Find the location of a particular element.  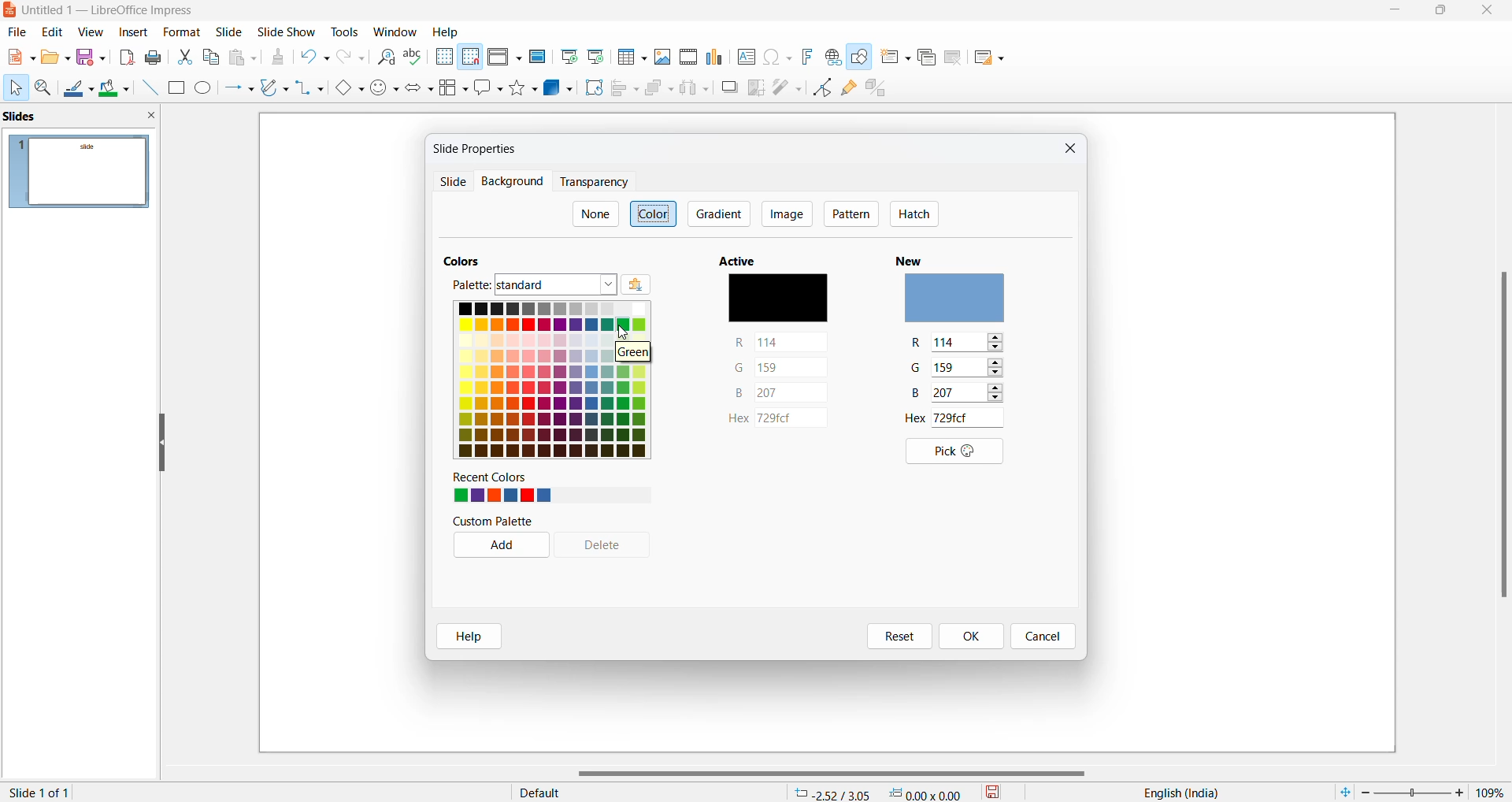

arrange is located at coordinates (658, 91).